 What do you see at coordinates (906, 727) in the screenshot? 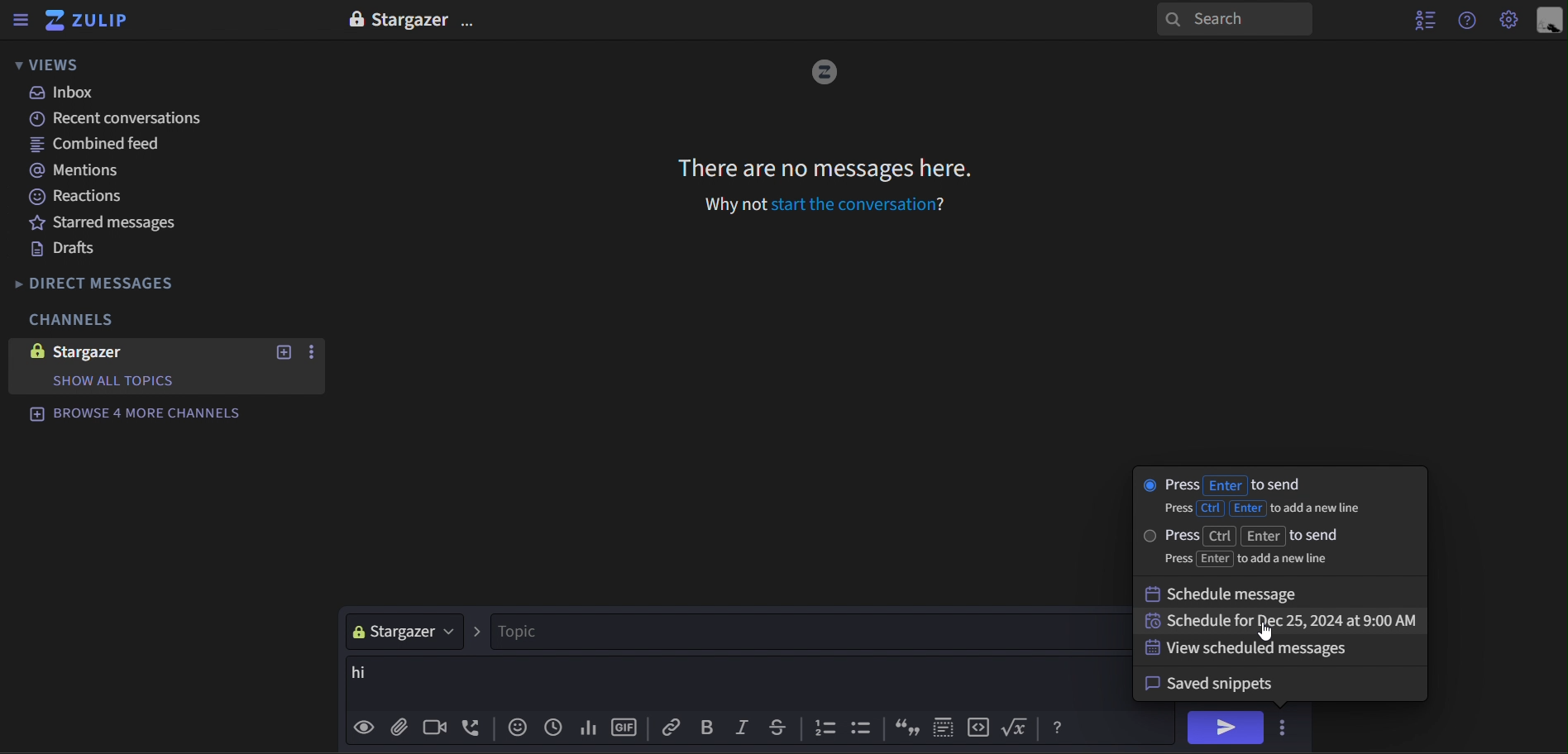
I see `inverted commas` at bounding box center [906, 727].